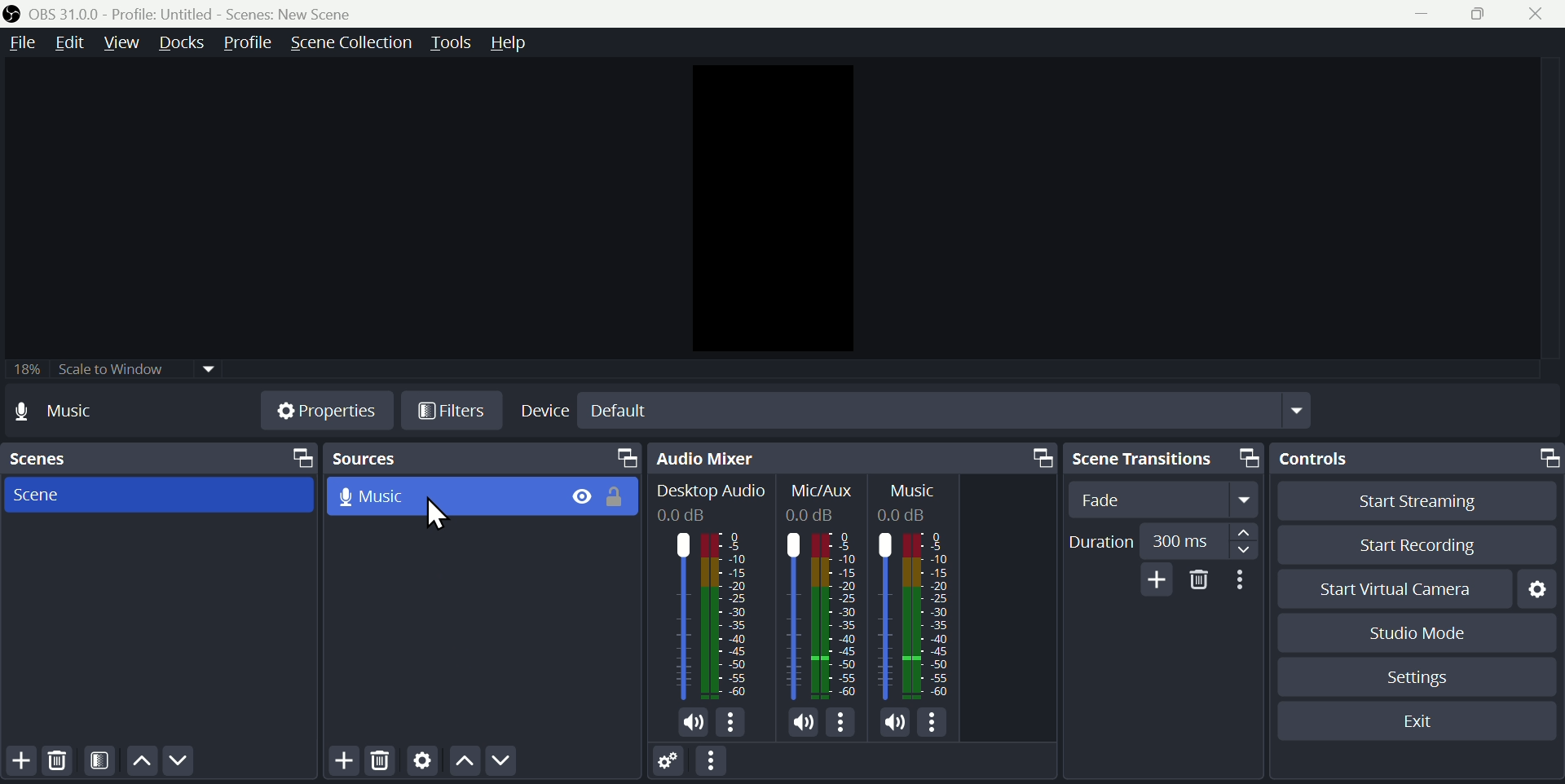 The image size is (1565, 784). Describe the element at coordinates (1481, 14) in the screenshot. I see `maximise` at that location.